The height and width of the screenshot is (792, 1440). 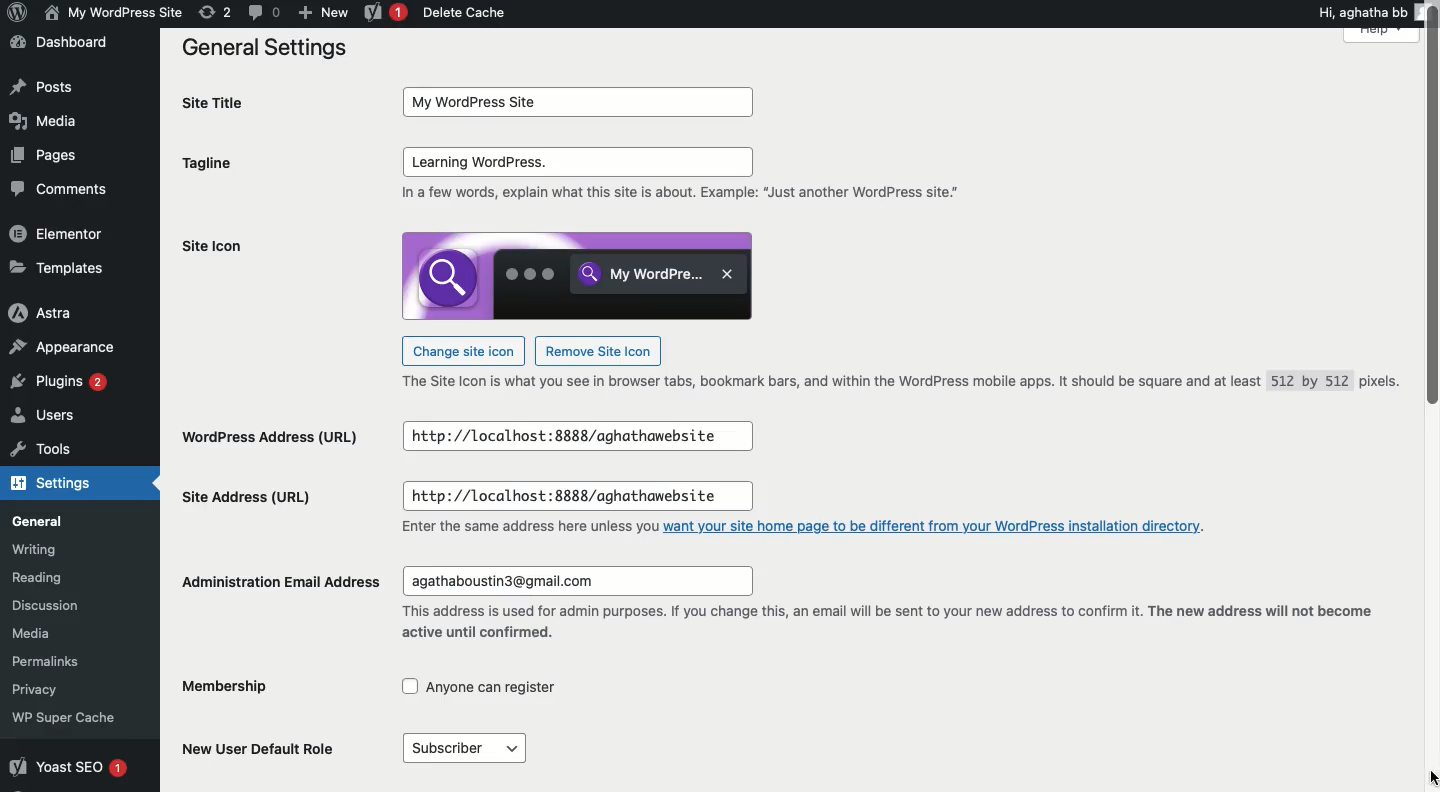 What do you see at coordinates (58, 416) in the screenshot?
I see `Users` at bounding box center [58, 416].